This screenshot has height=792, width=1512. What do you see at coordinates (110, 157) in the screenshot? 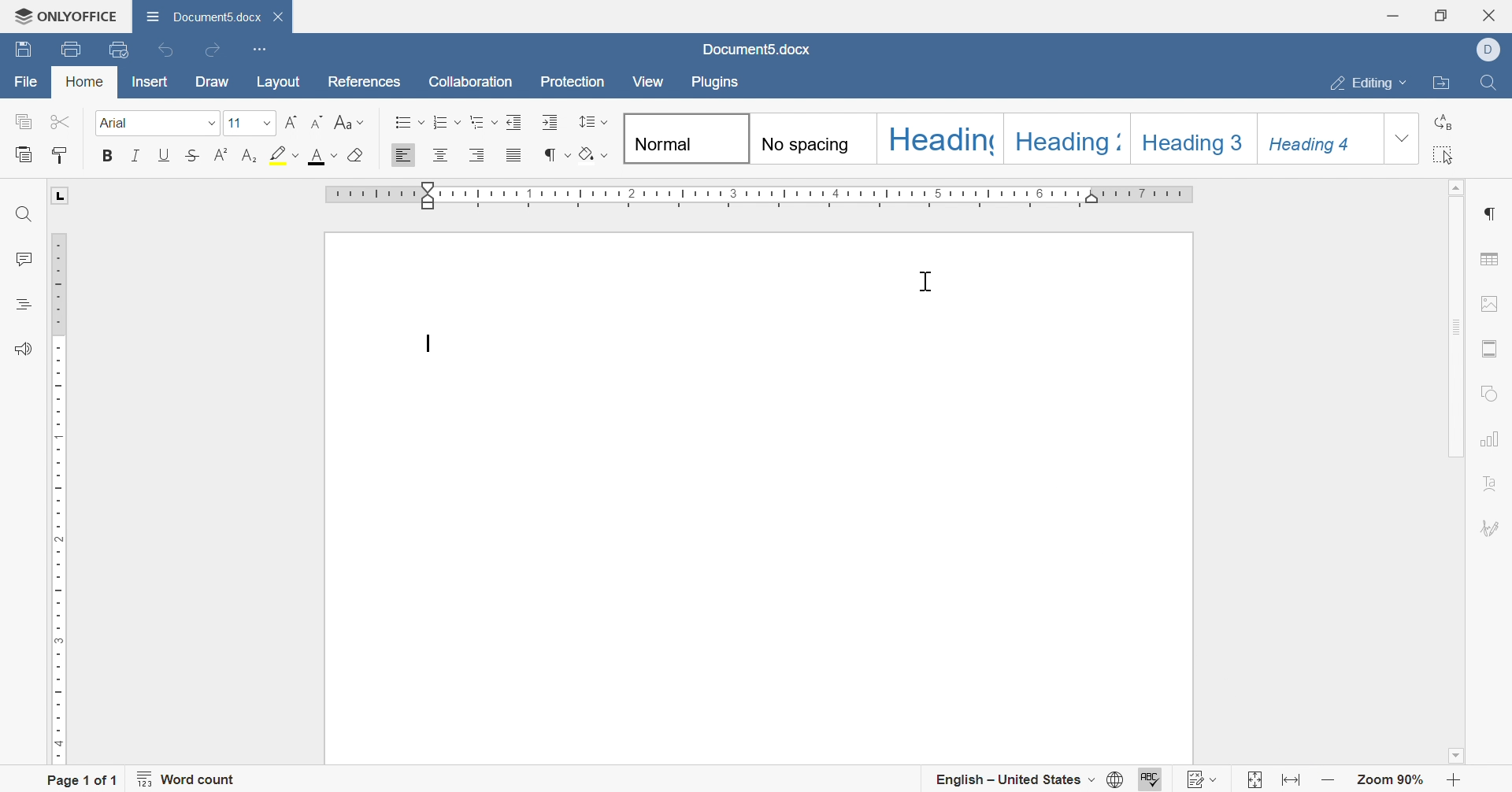
I see `bold` at bounding box center [110, 157].